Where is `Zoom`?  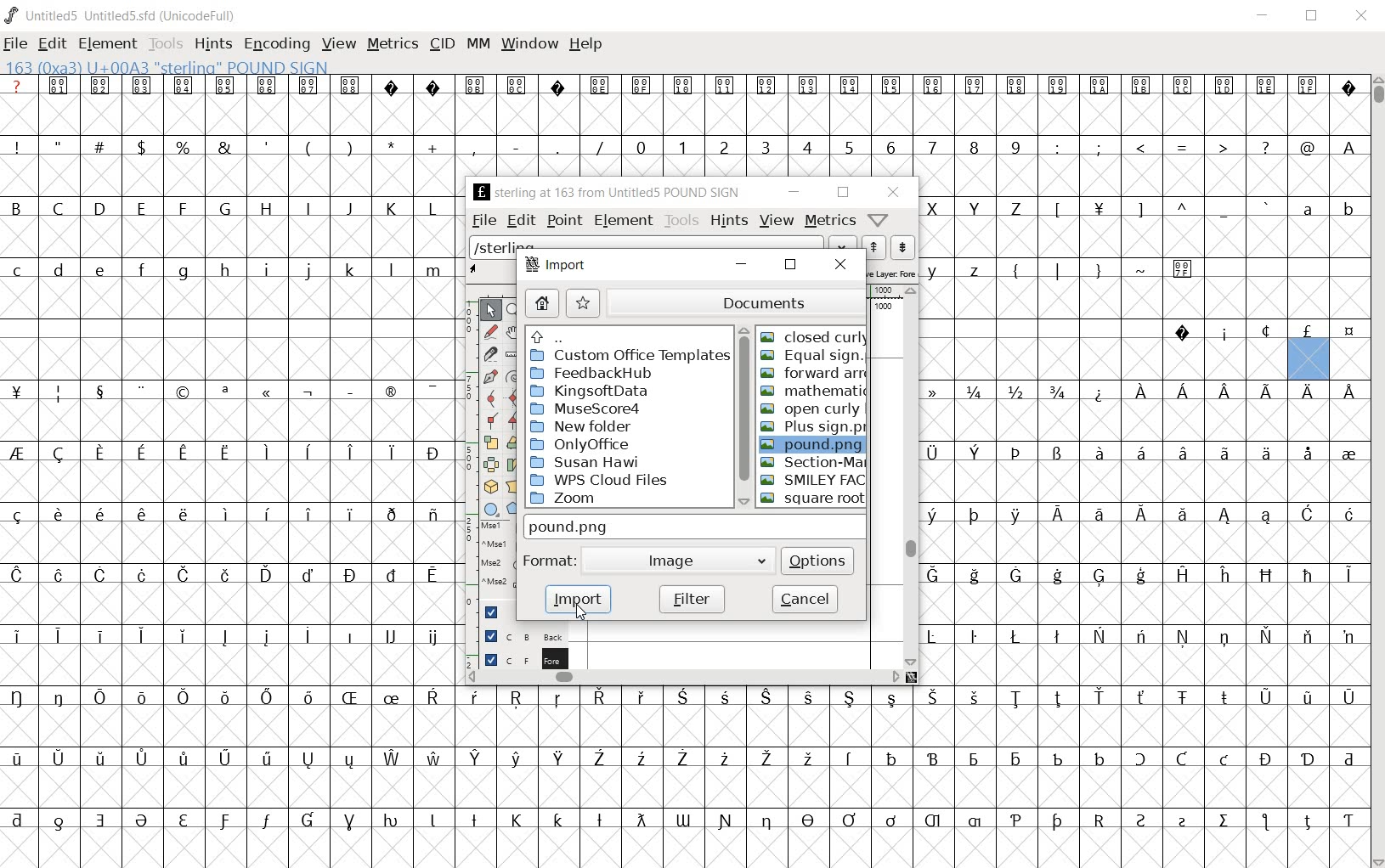
Zoom is located at coordinates (579, 497).